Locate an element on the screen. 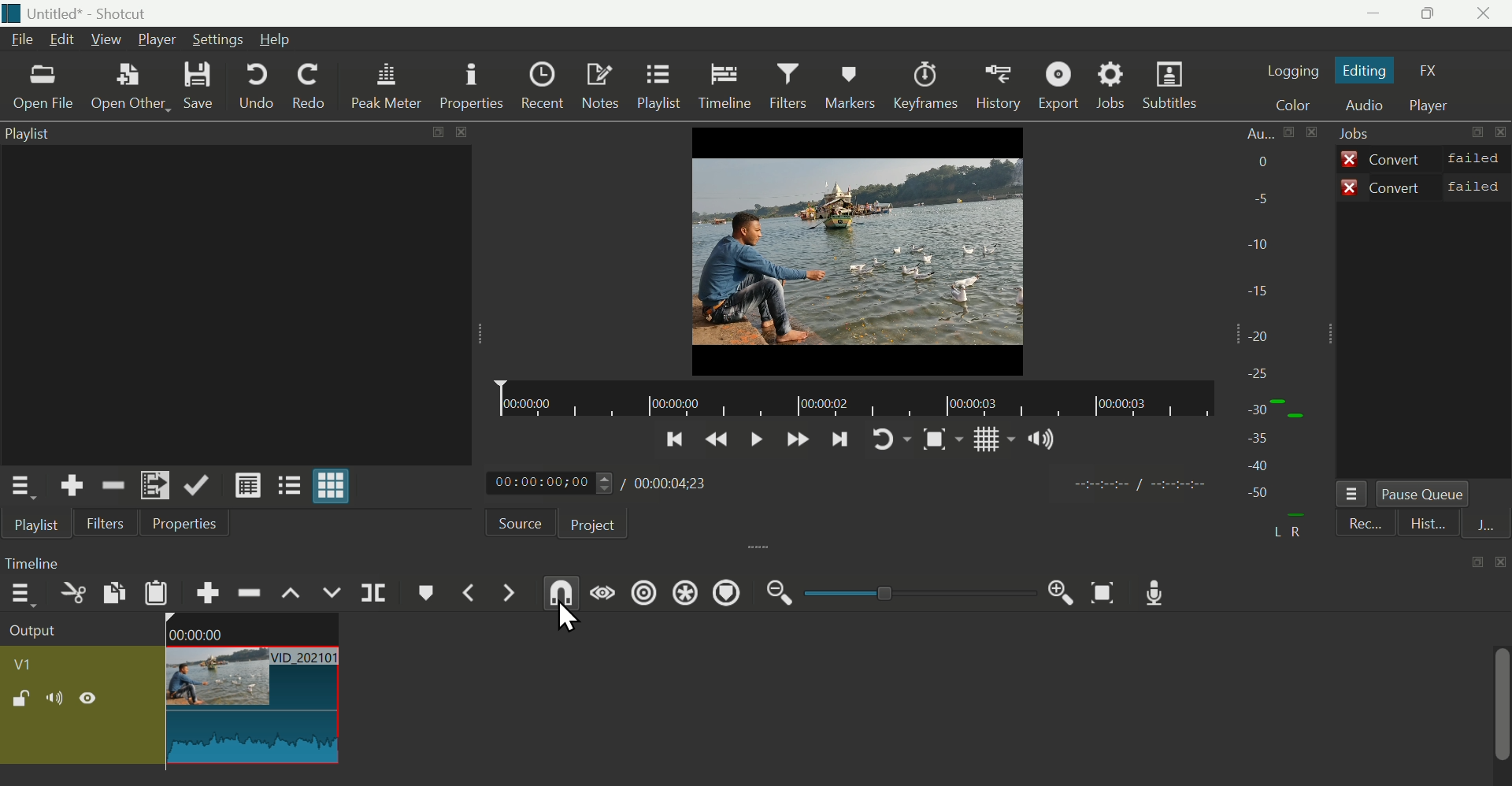 The width and height of the screenshot is (1512, 786). View as grid is located at coordinates (336, 485).